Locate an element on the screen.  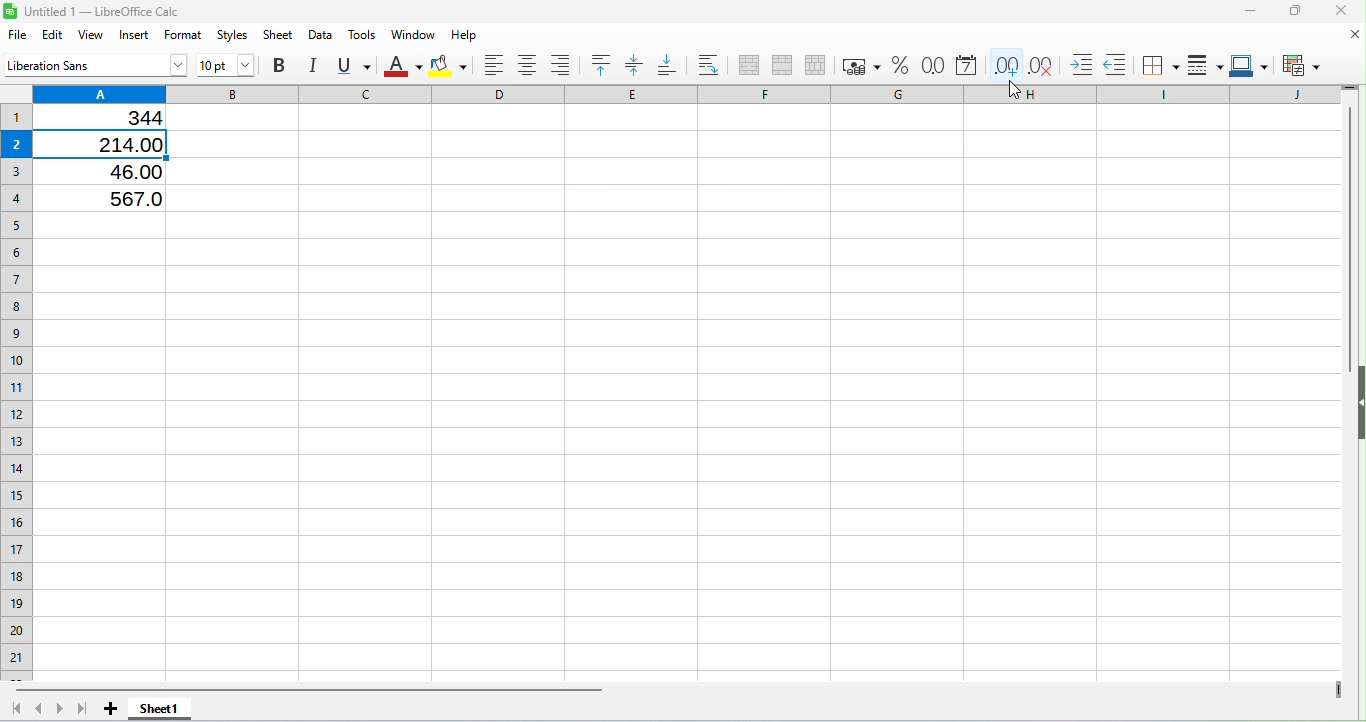
Background color is located at coordinates (451, 65).